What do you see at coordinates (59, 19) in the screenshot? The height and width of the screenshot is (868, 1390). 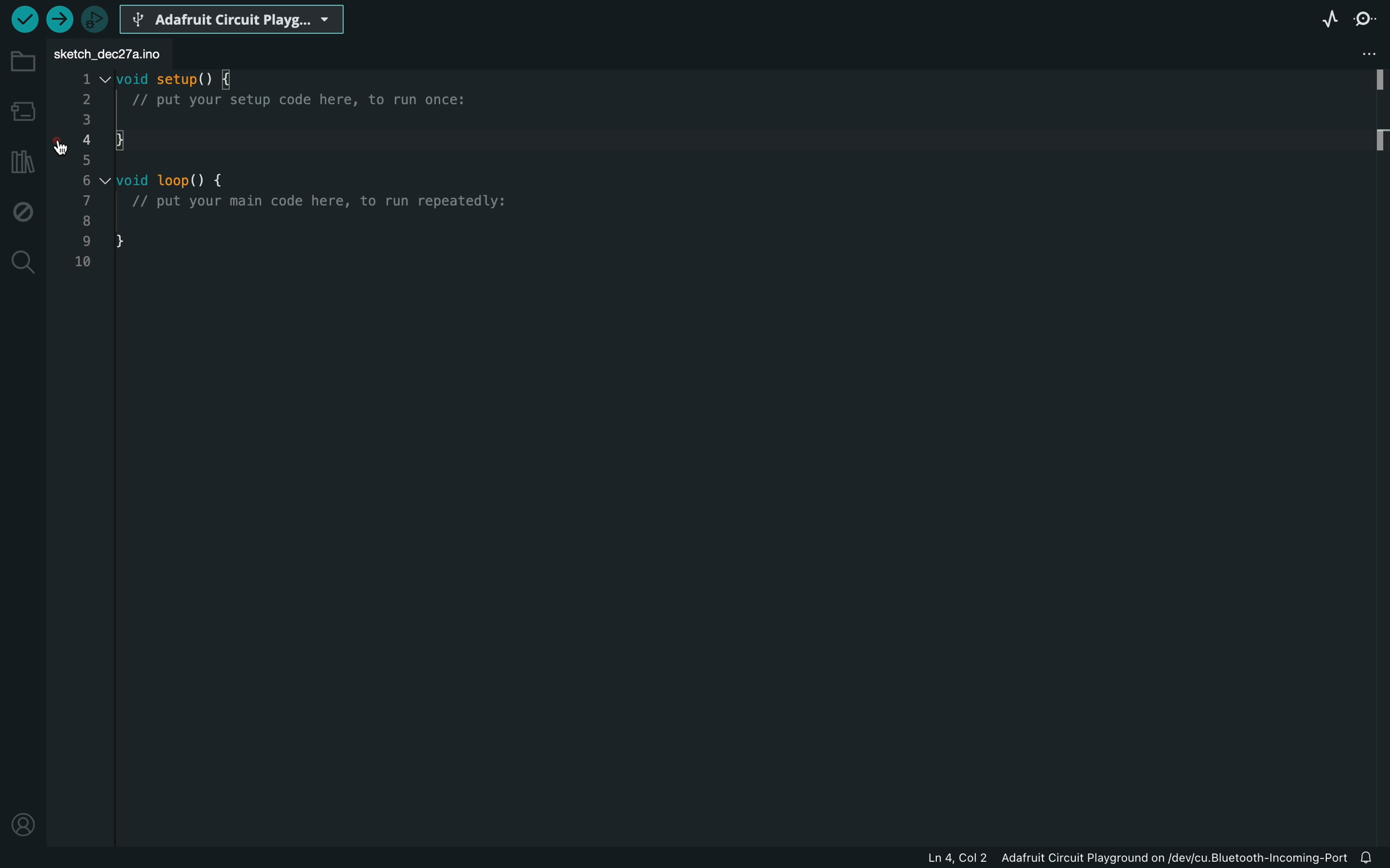 I see `upload` at bounding box center [59, 19].